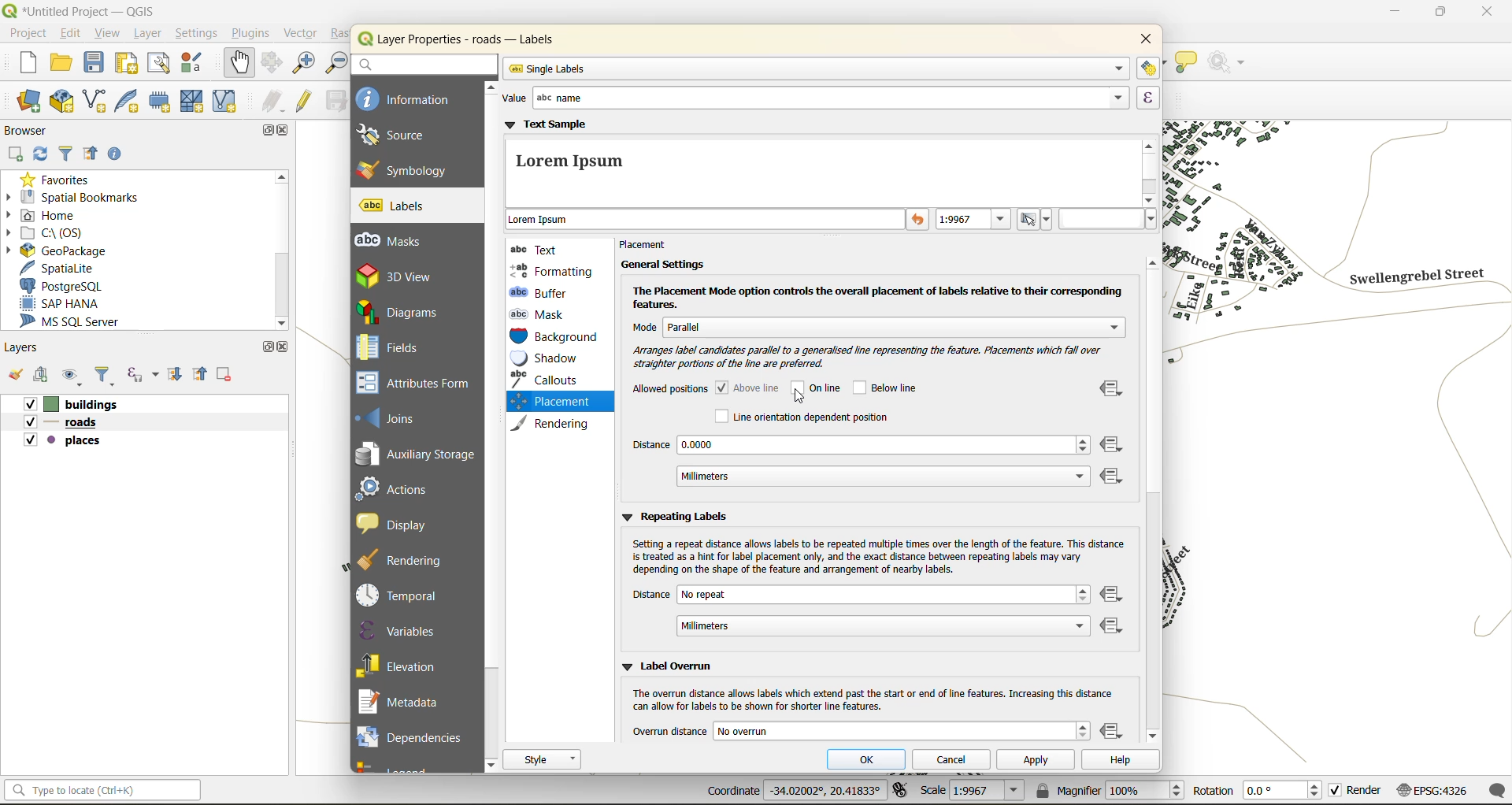 This screenshot has height=805, width=1512. I want to click on apply, so click(1038, 763).